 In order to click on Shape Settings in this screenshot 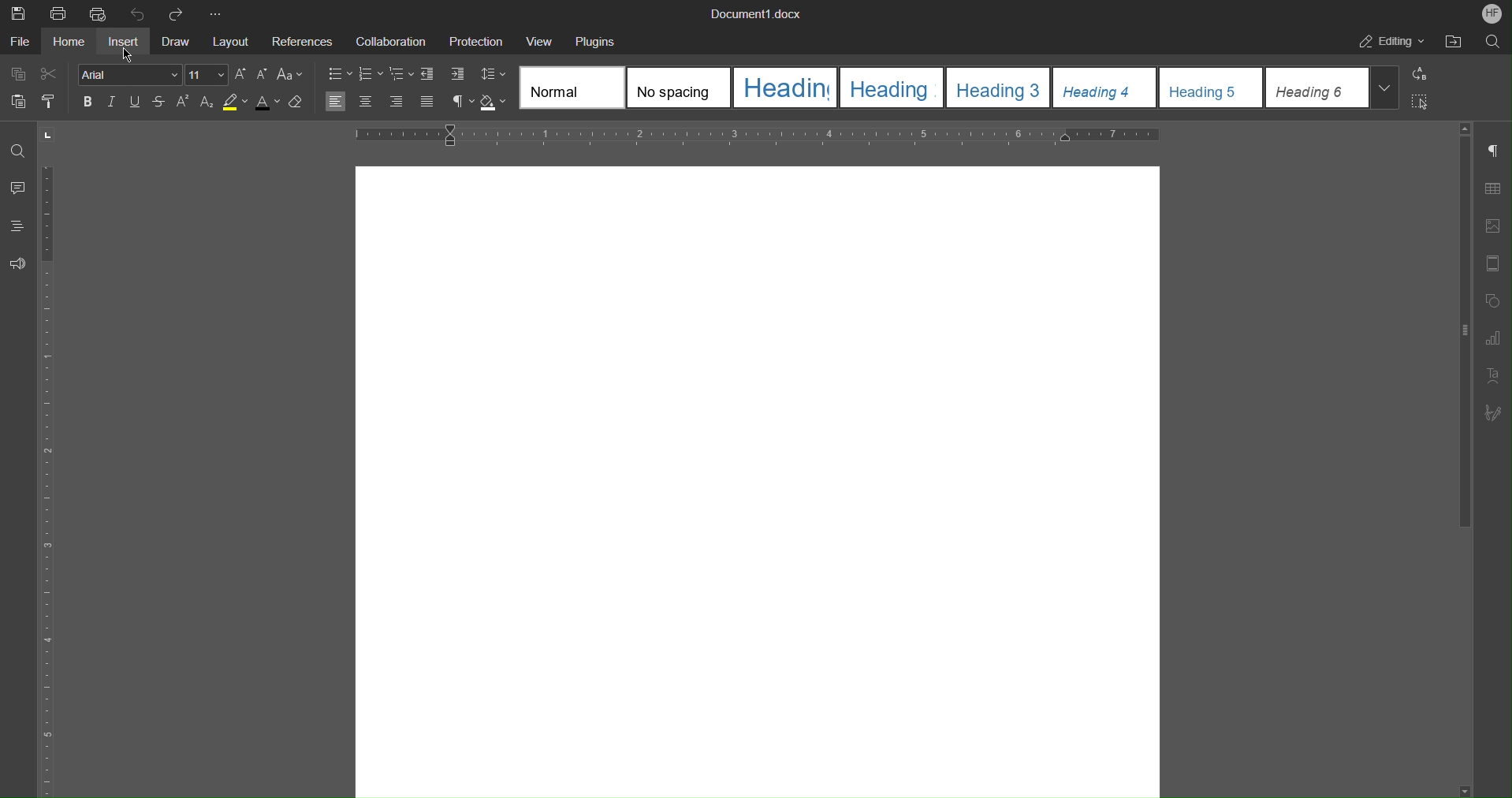, I will do `click(1496, 300)`.